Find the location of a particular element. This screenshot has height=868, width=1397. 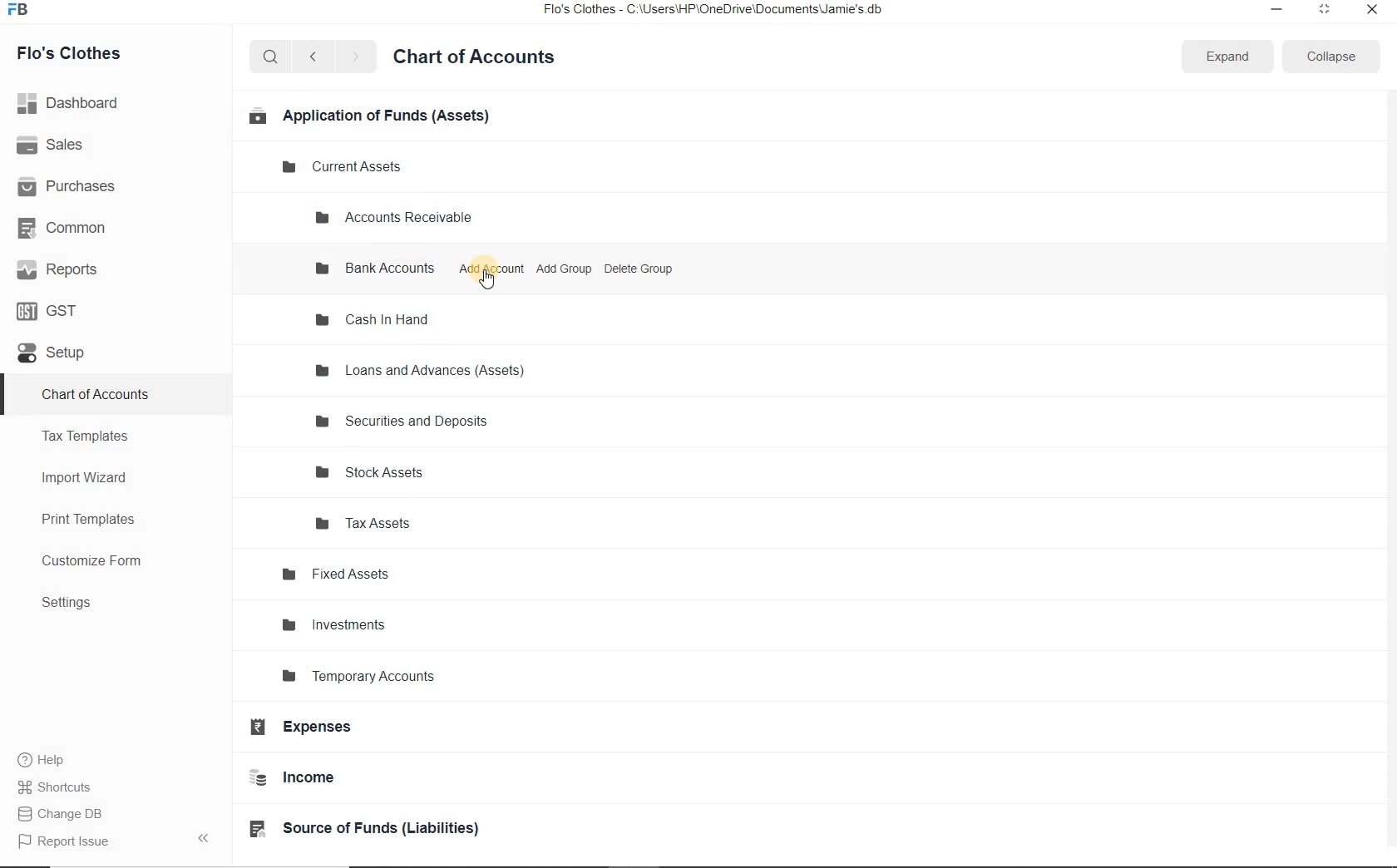

forward is located at coordinates (357, 57).